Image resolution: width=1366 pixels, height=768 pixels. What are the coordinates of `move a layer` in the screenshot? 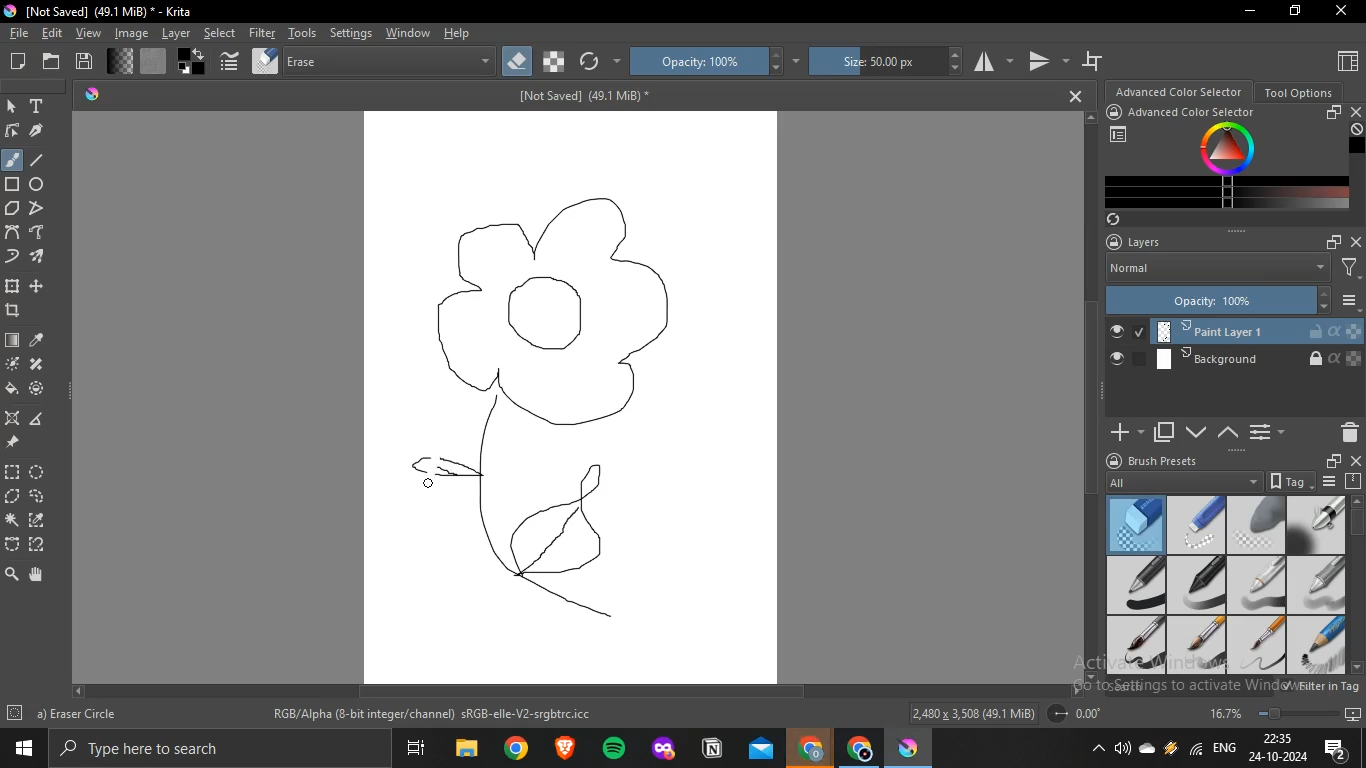 It's located at (36, 288).